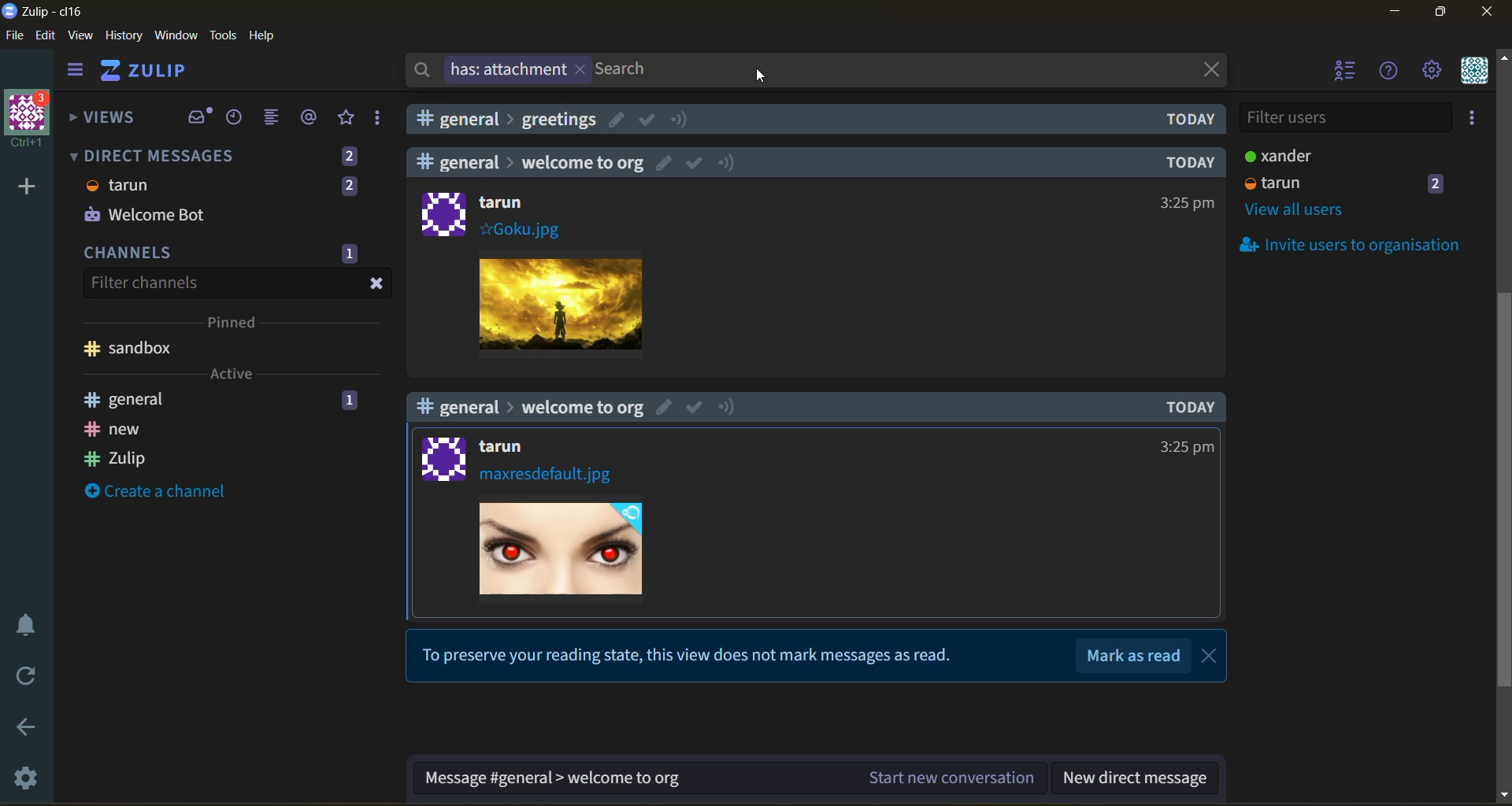 The height and width of the screenshot is (806, 1512). What do you see at coordinates (438, 457) in the screenshot?
I see `logo` at bounding box center [438, 457].